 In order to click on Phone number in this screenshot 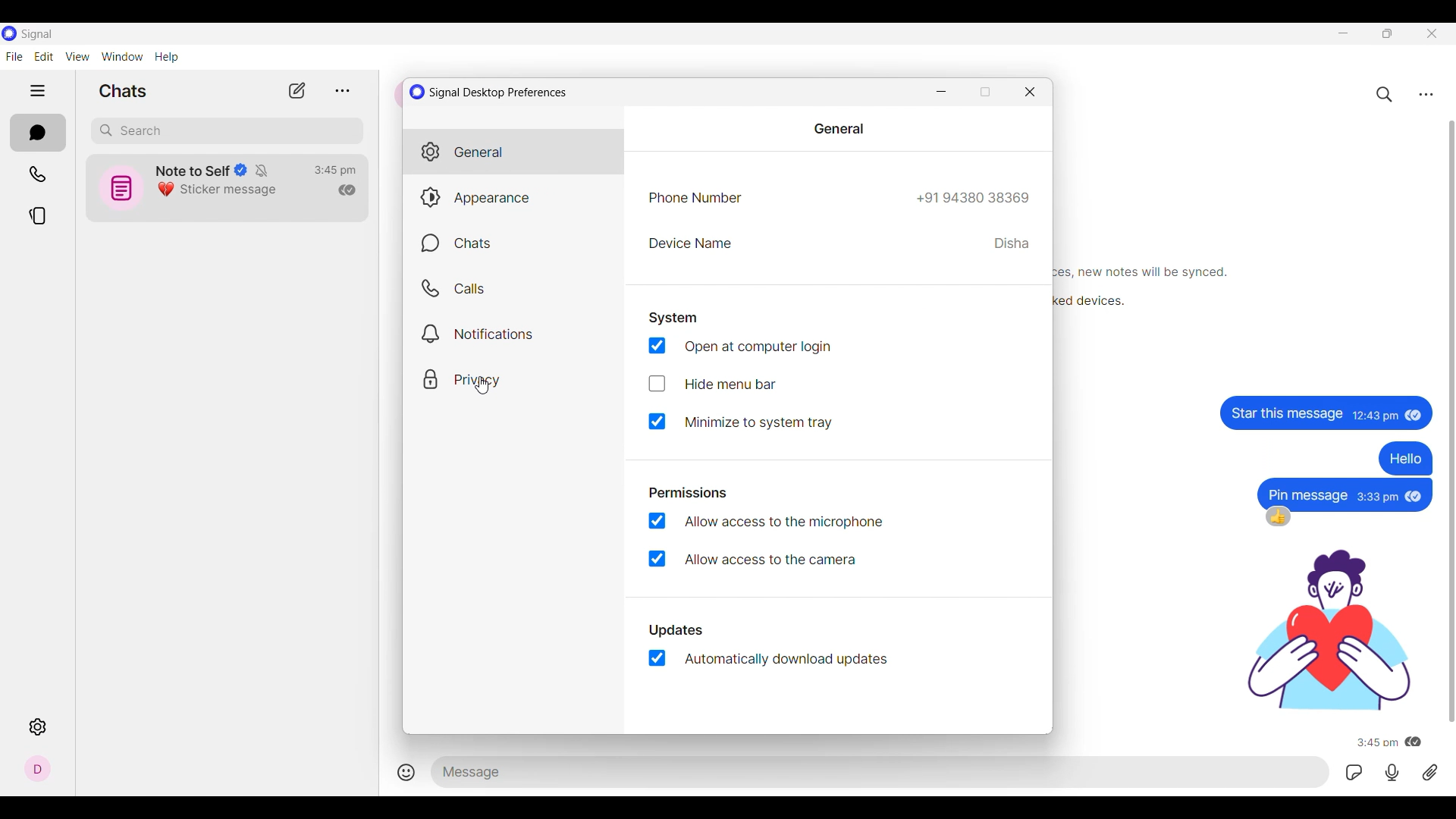, I will do `click(837, 197)`.